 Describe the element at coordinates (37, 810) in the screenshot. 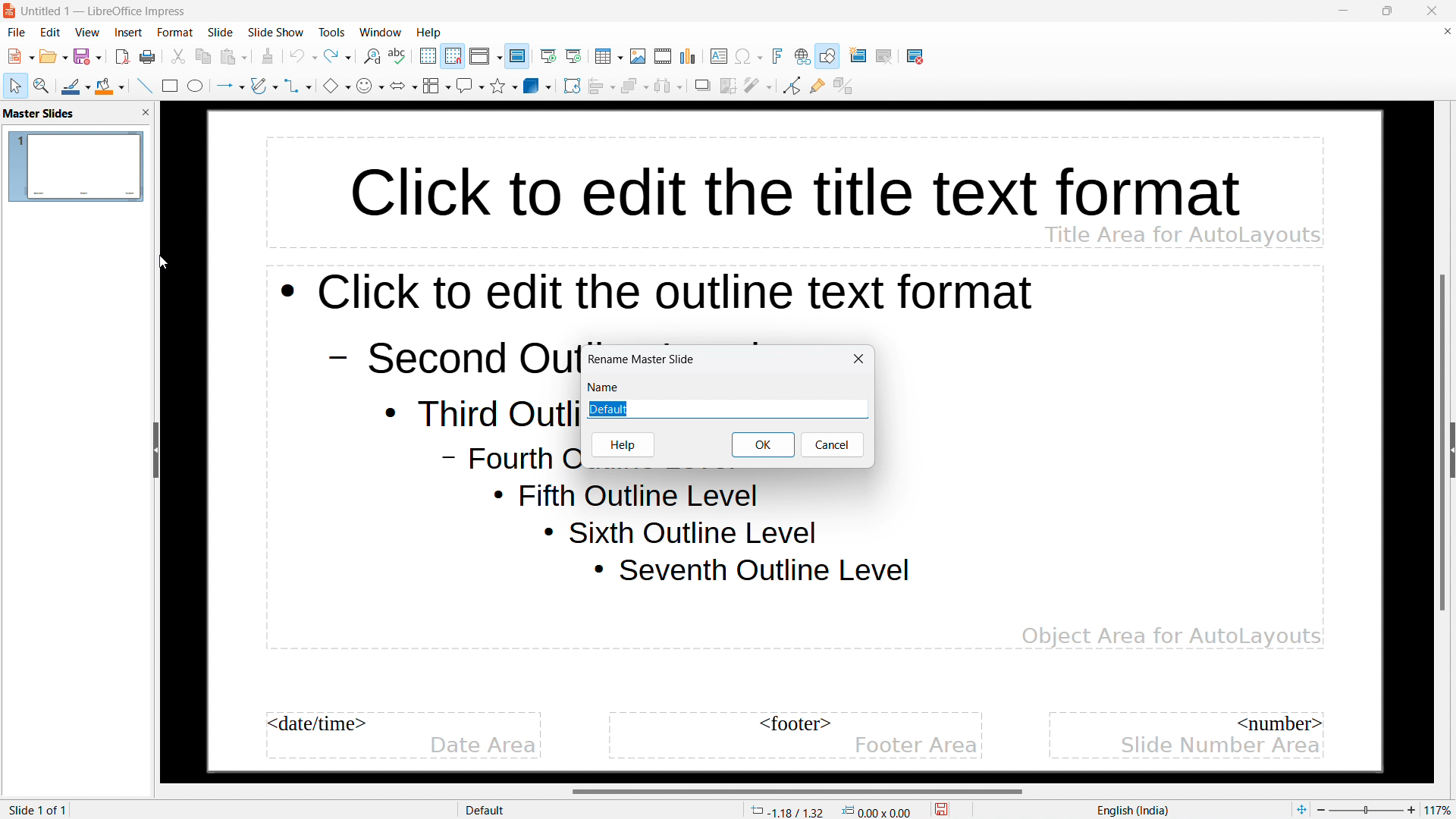

I see `slide 1 of 1` at that location.